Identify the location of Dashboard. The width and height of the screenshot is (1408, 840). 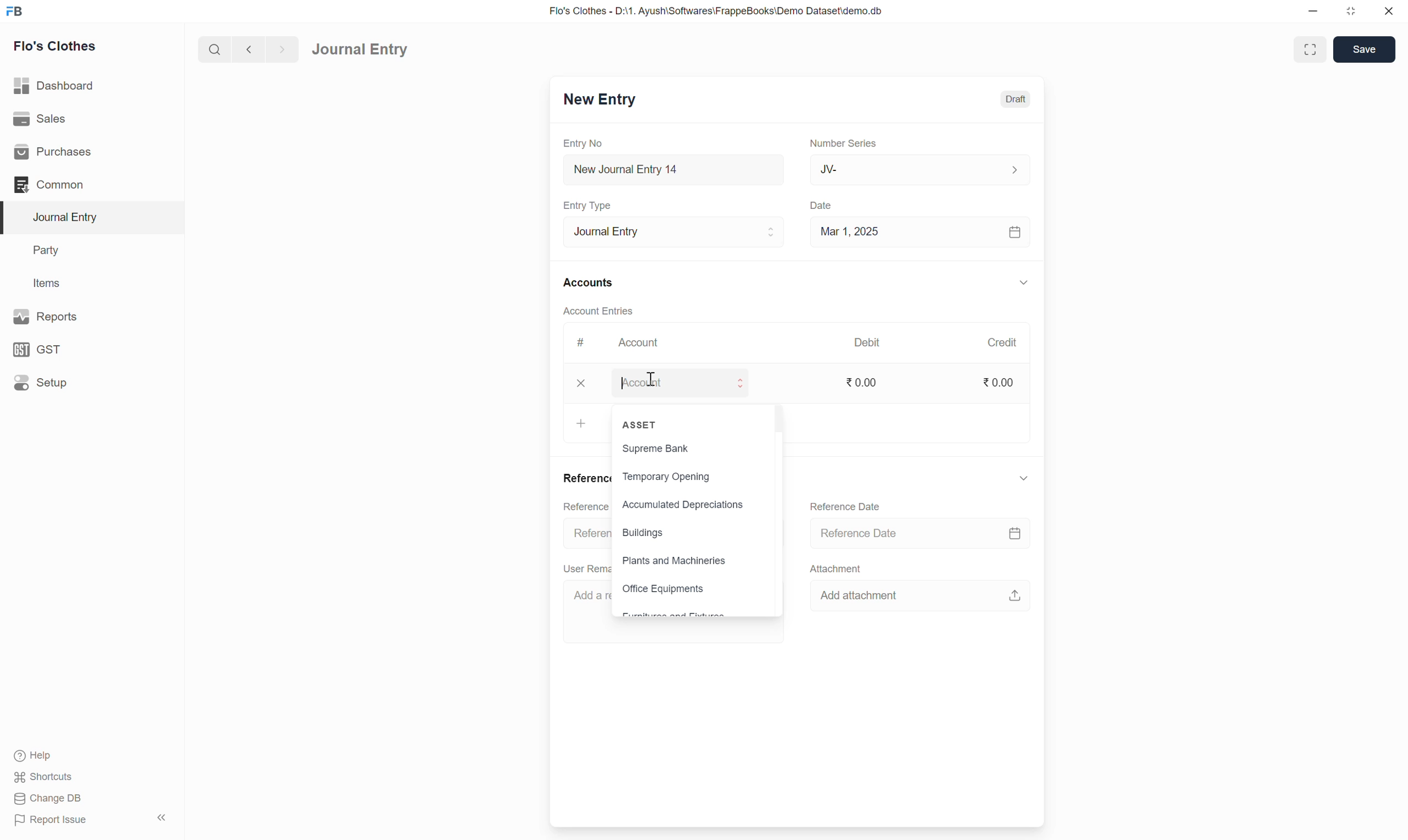
(55, 85).